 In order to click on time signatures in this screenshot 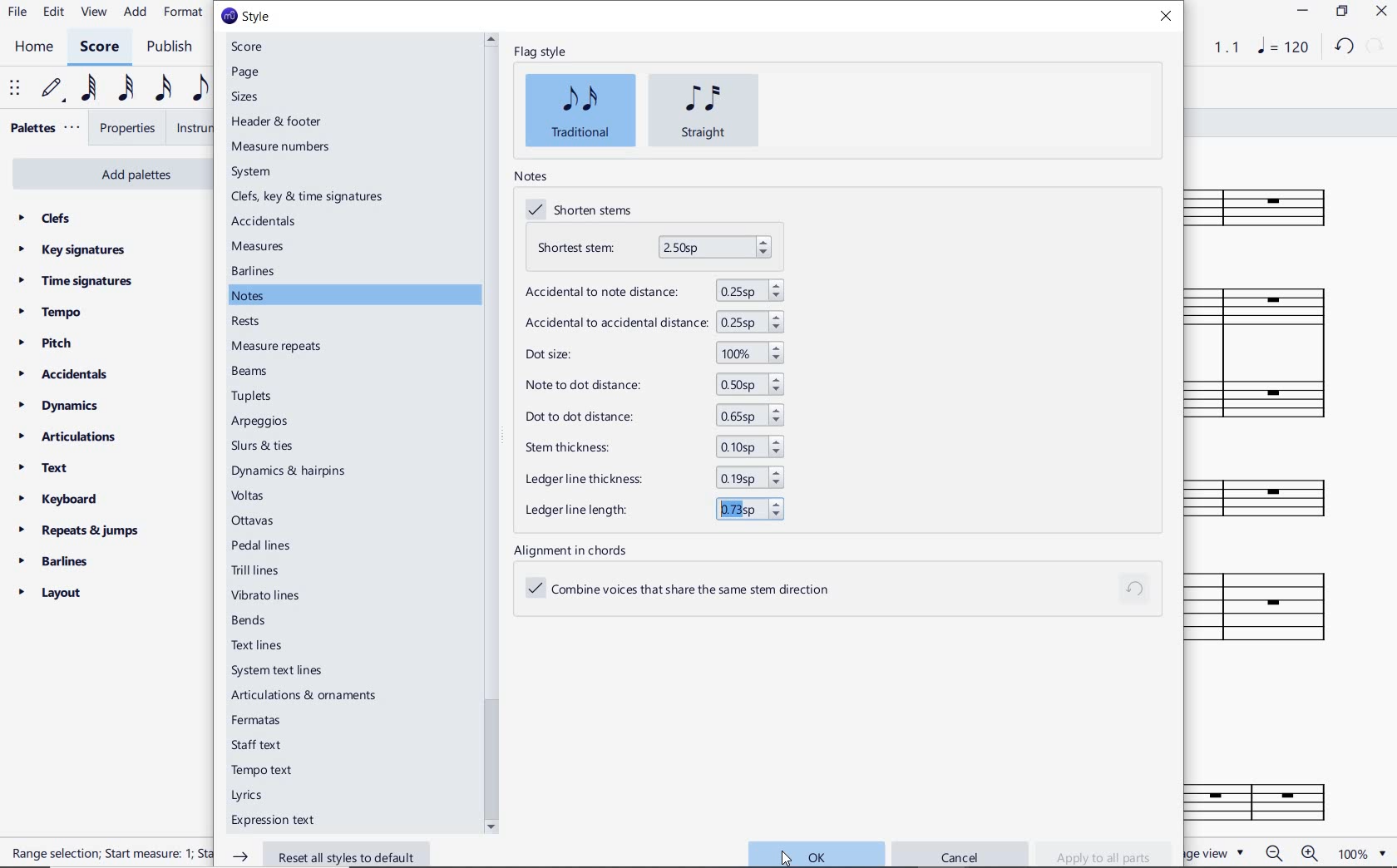, I will do `click(77, 284)`.